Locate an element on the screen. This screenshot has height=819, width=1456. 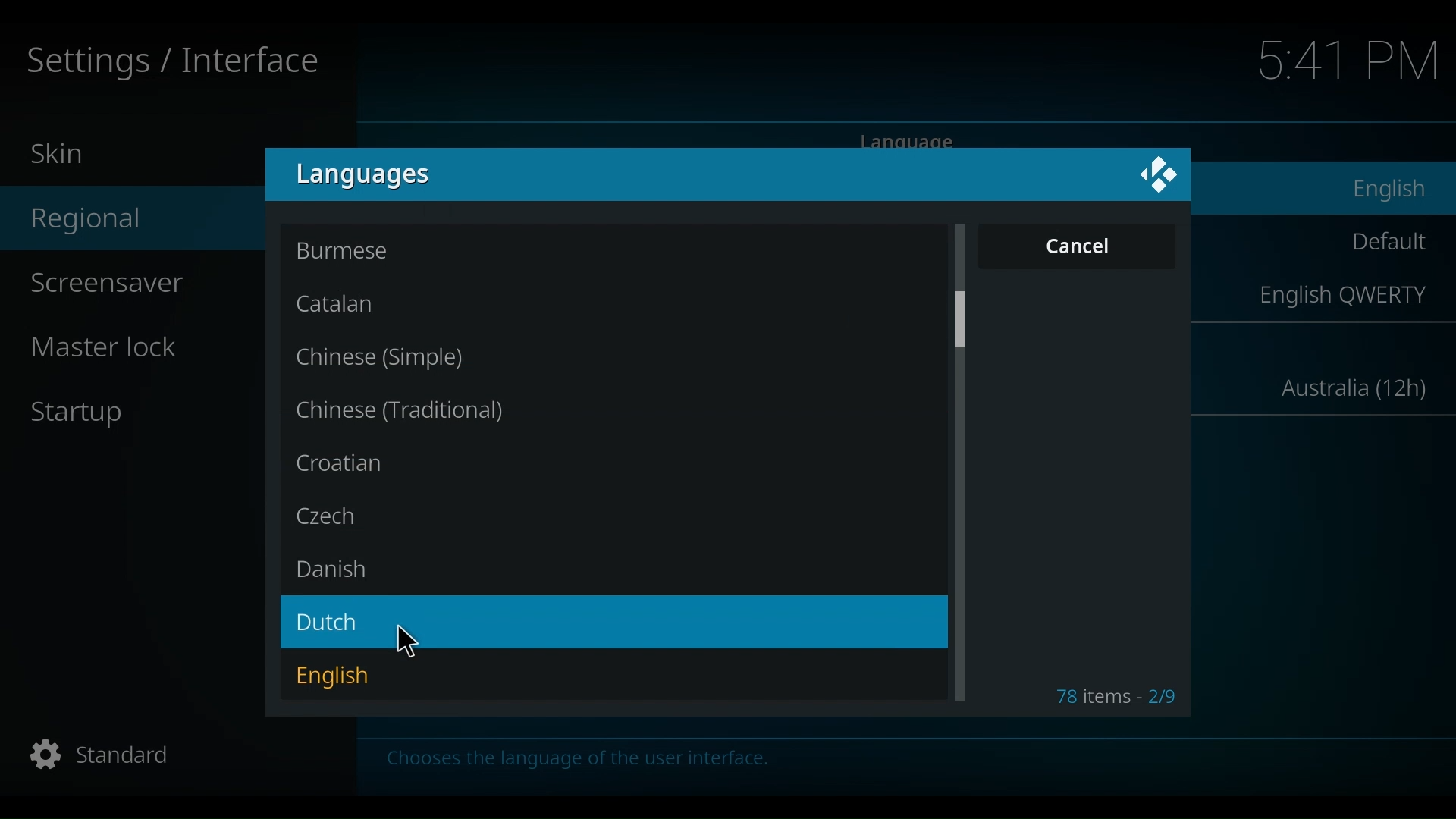
Czech is located at coordinates (327, 516).